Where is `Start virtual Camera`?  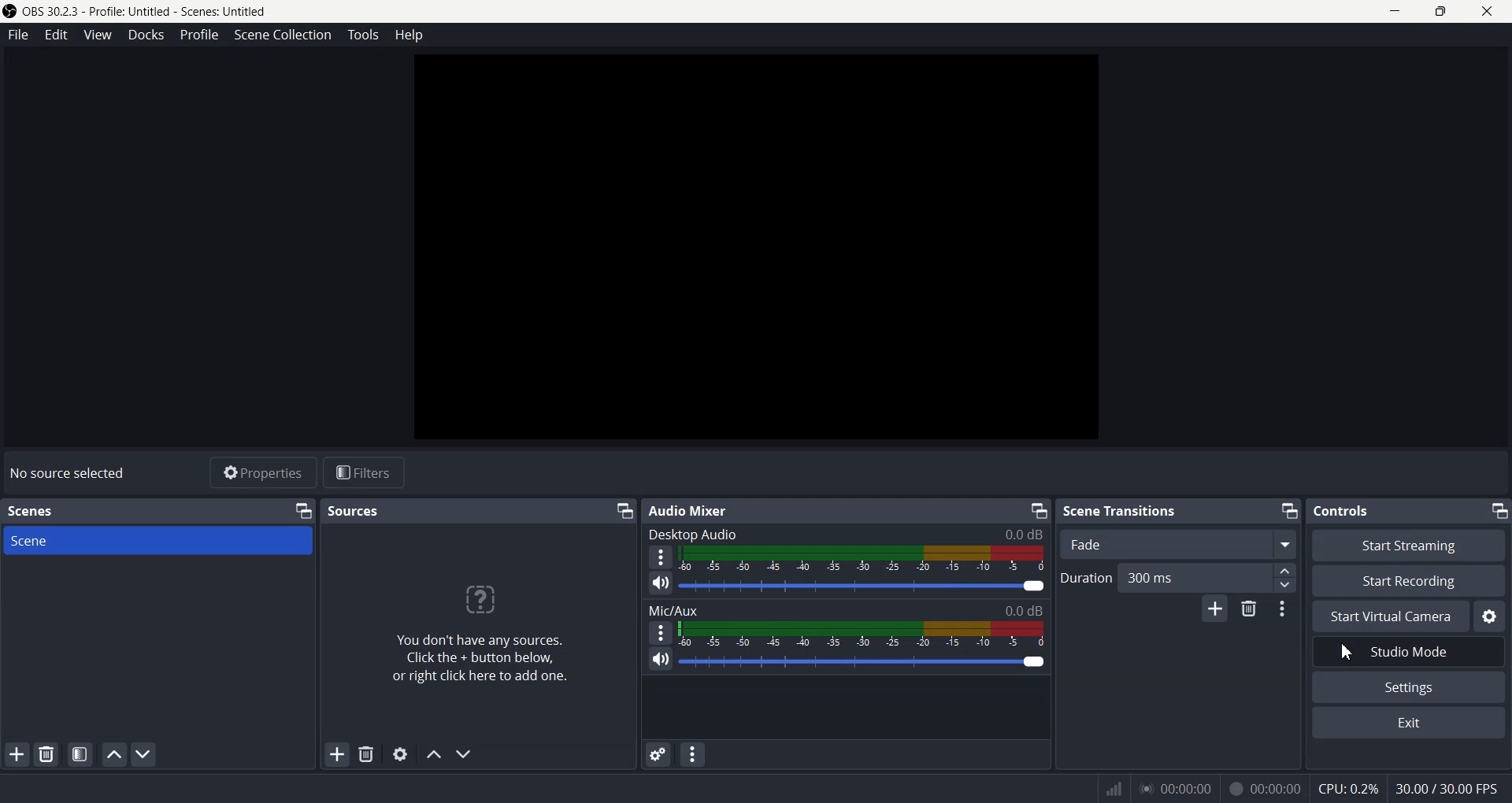 Start virtual Camera is located at coordinates (1389, 616).